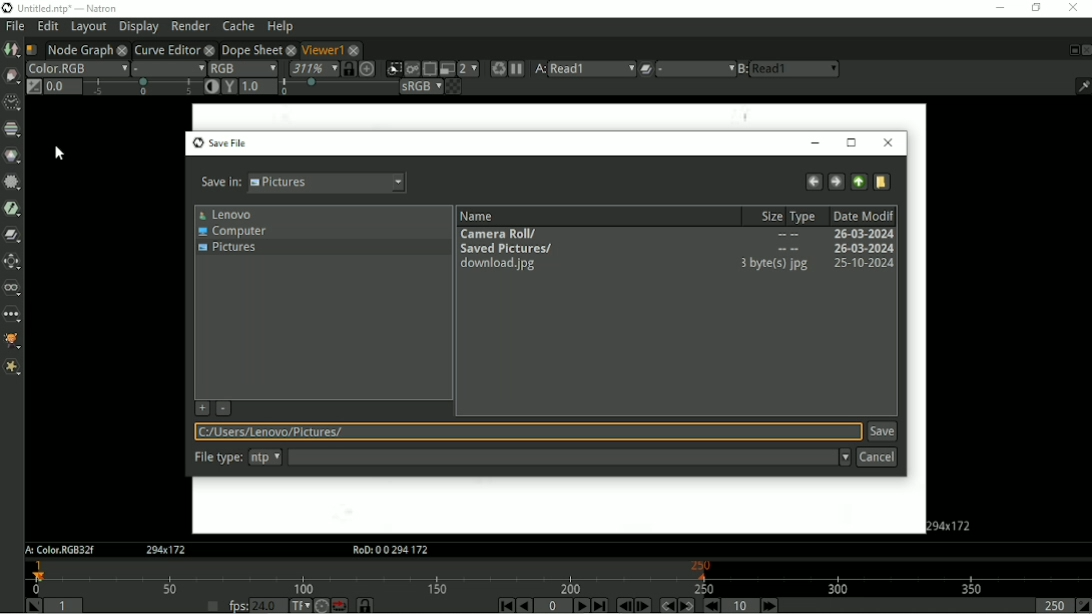  What do you see at coordinates (952, 525) in the screenshot?
I see `Aspect` at bounding box center [952, 525].